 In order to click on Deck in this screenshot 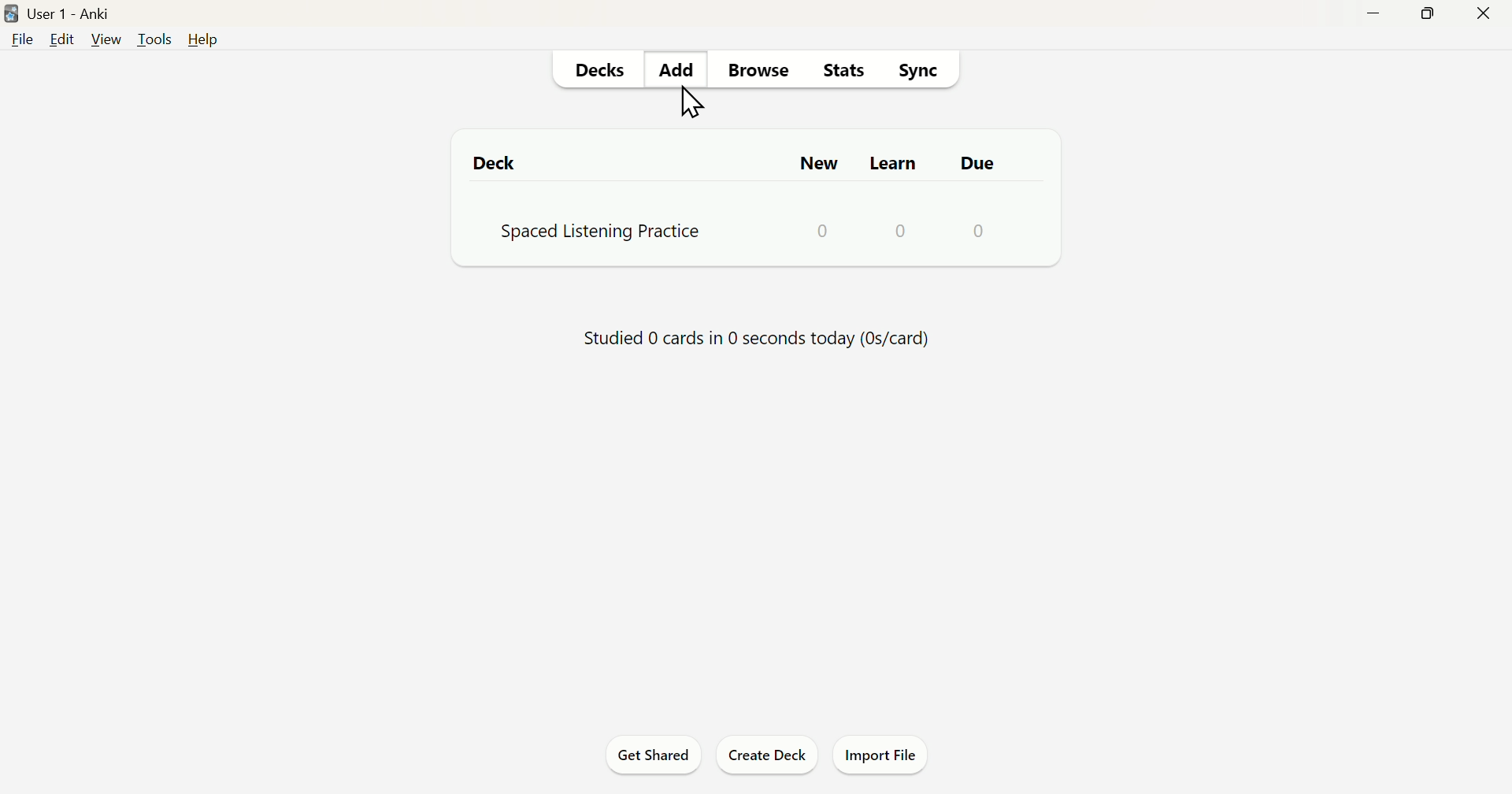, I will do `click(497, 166)`.